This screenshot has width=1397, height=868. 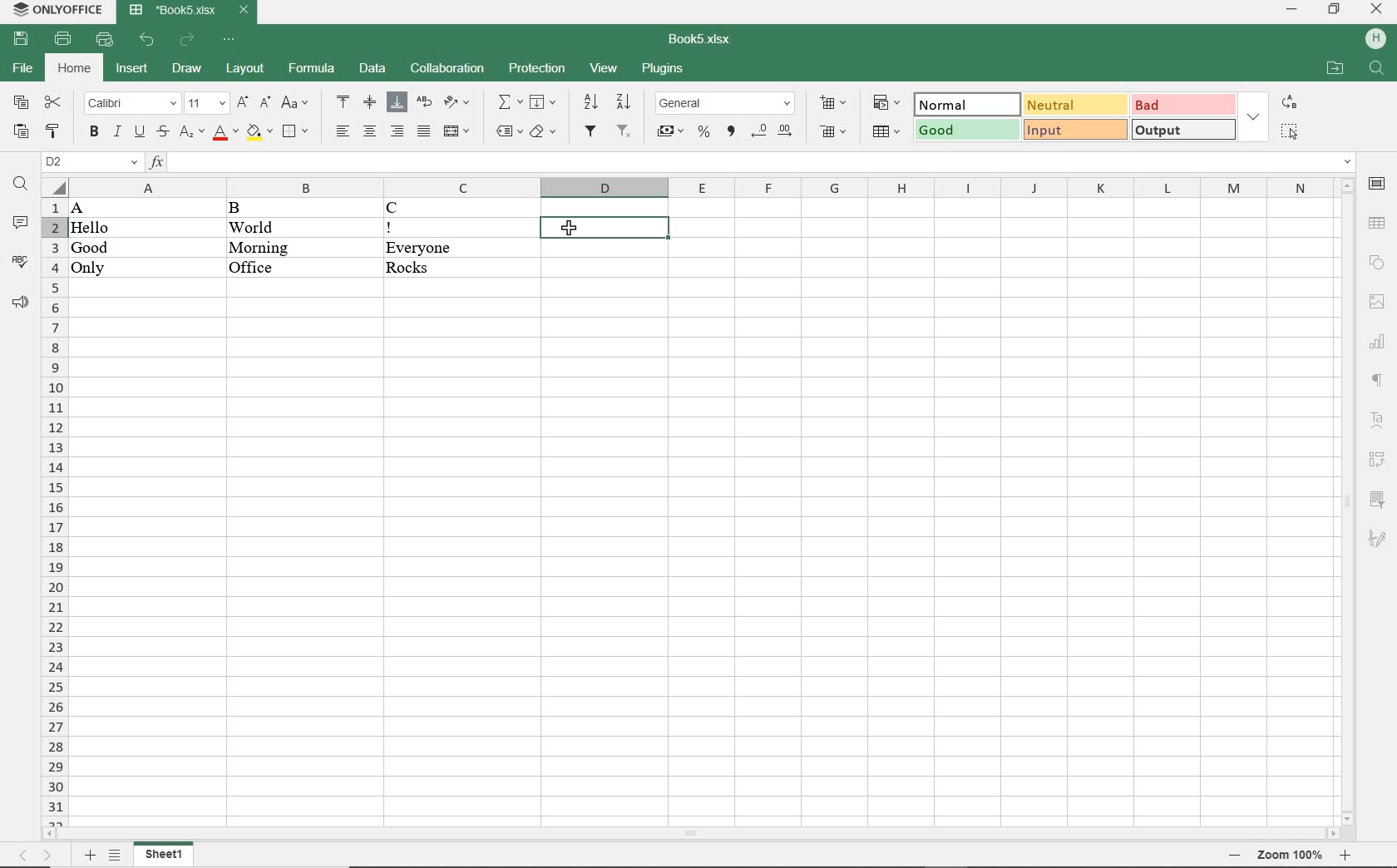 What do you see at coordinates (371, 131) in the screenshot?
I see `ALIGN CENTER` at bounding box center [371, 131].